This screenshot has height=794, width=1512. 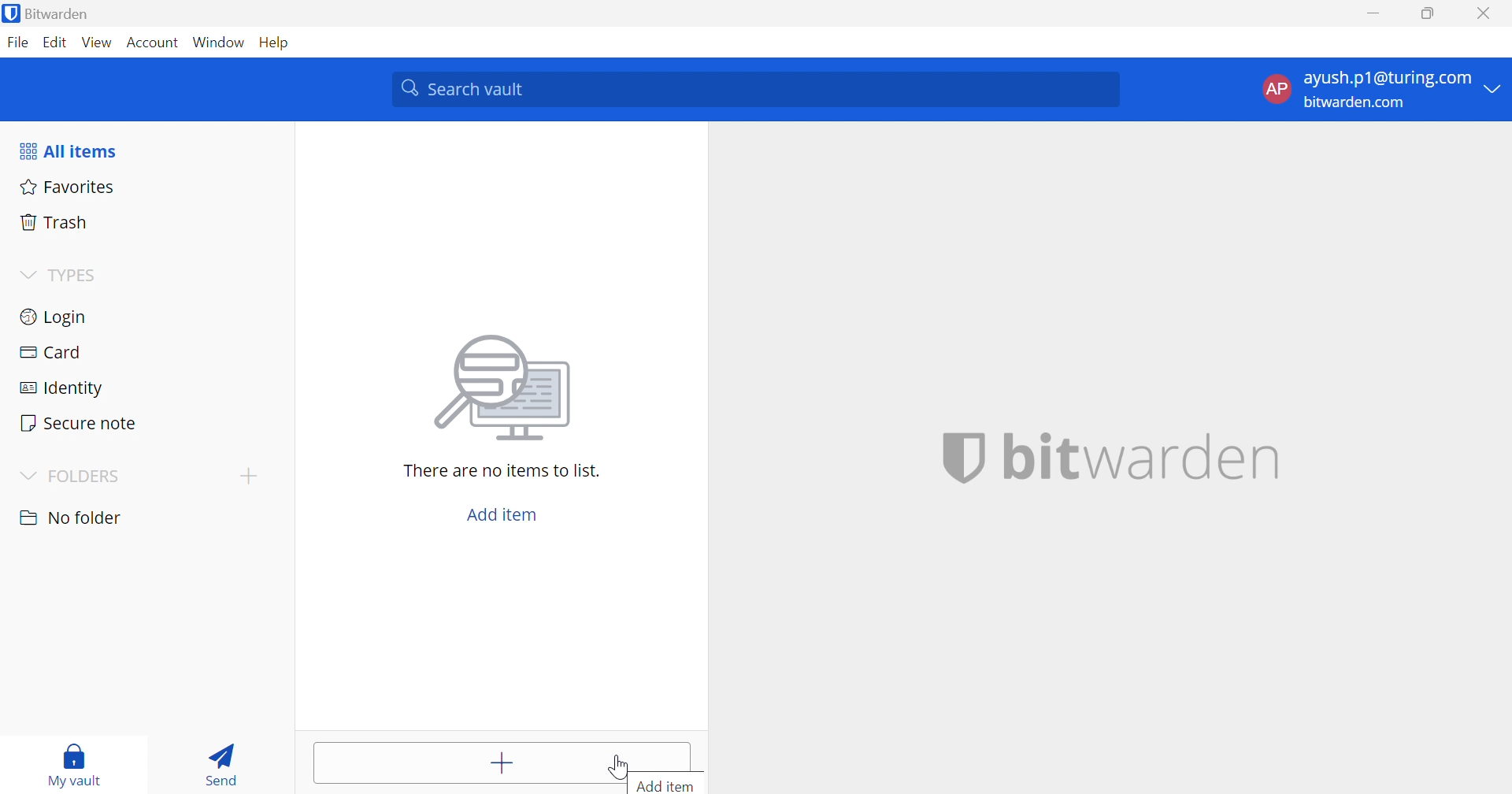 I want to click on Drop Down, so click(x=248, y=475).